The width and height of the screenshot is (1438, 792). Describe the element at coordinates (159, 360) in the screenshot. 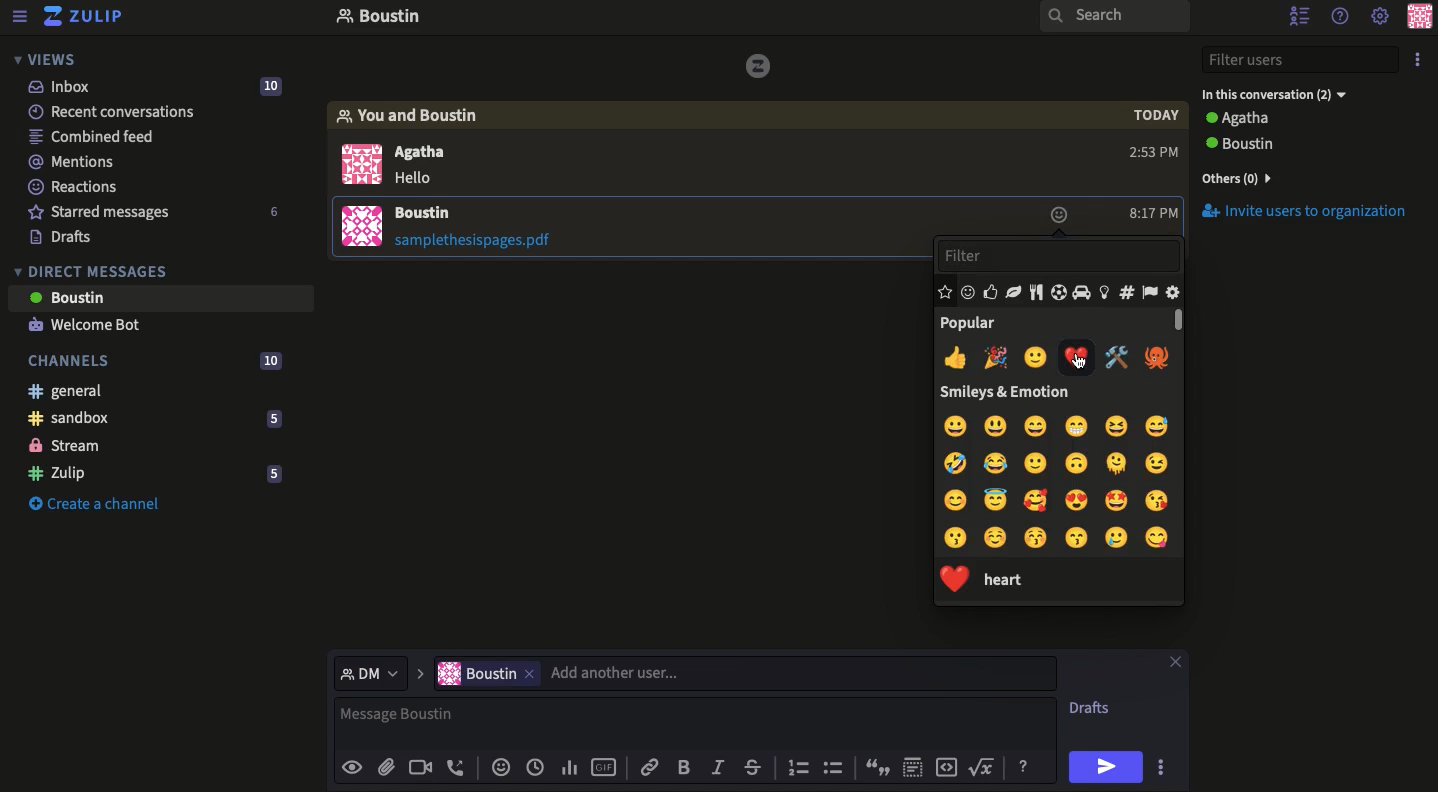

I see `Channels` at that location.